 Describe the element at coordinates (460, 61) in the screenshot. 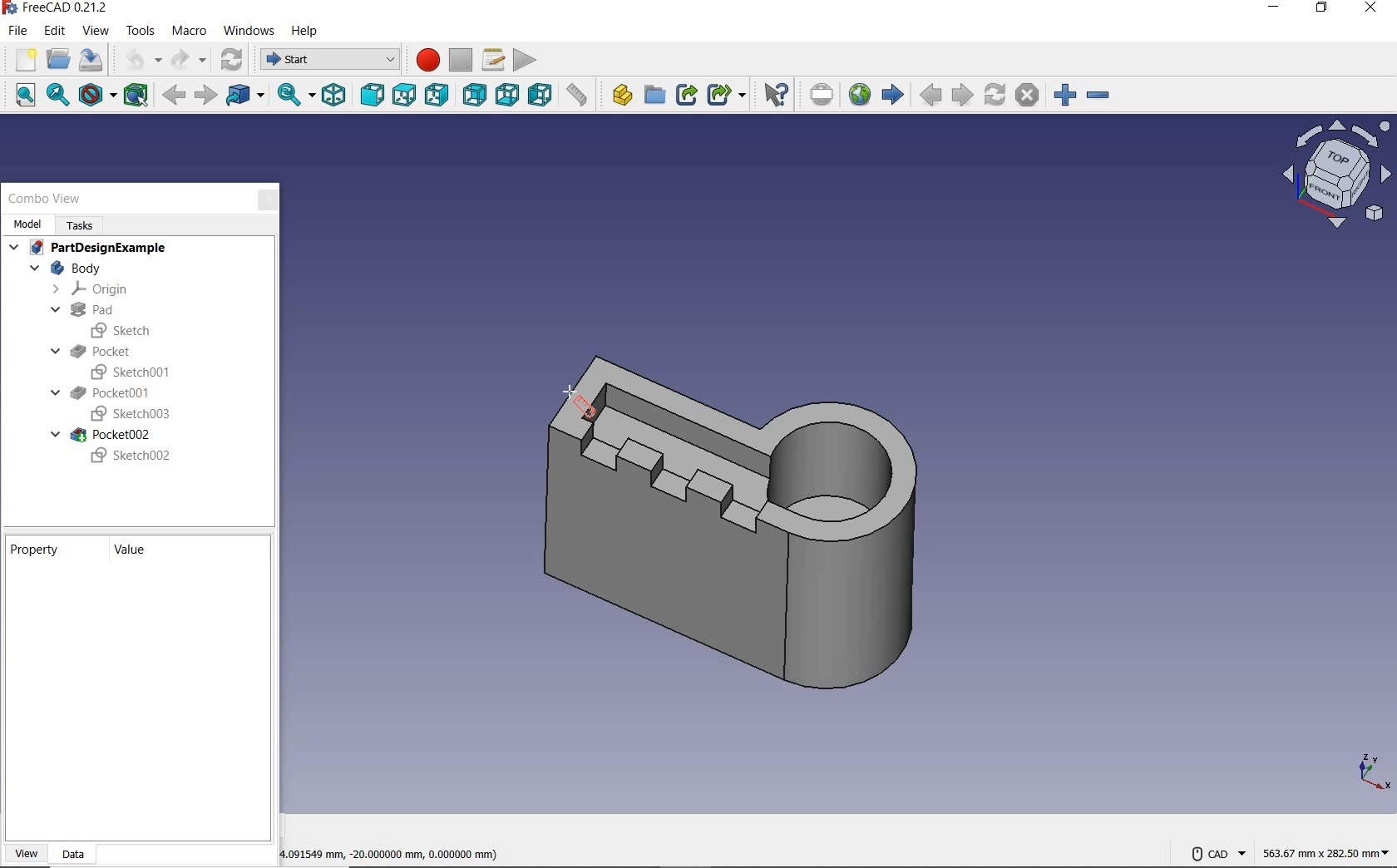

I see `stop macro recording` at that location.